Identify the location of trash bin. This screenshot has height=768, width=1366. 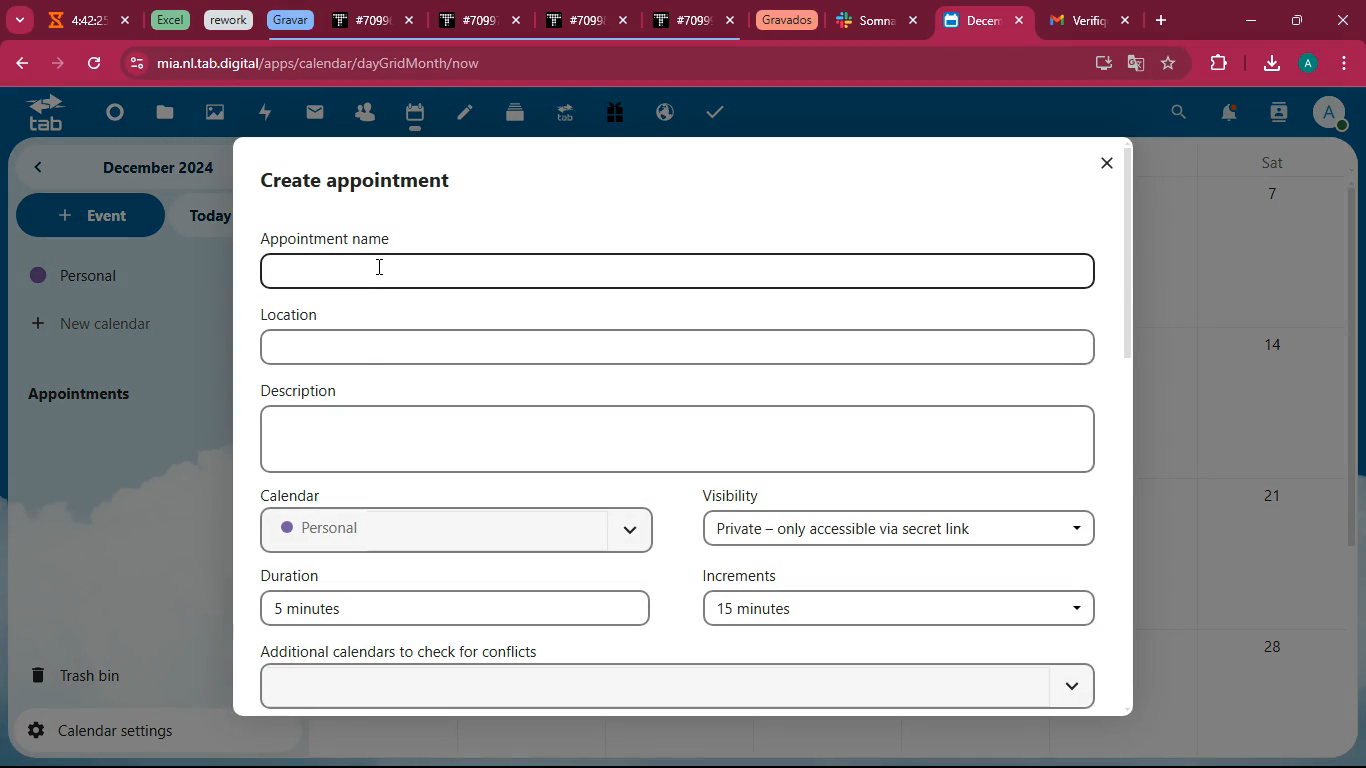
(96, 674).